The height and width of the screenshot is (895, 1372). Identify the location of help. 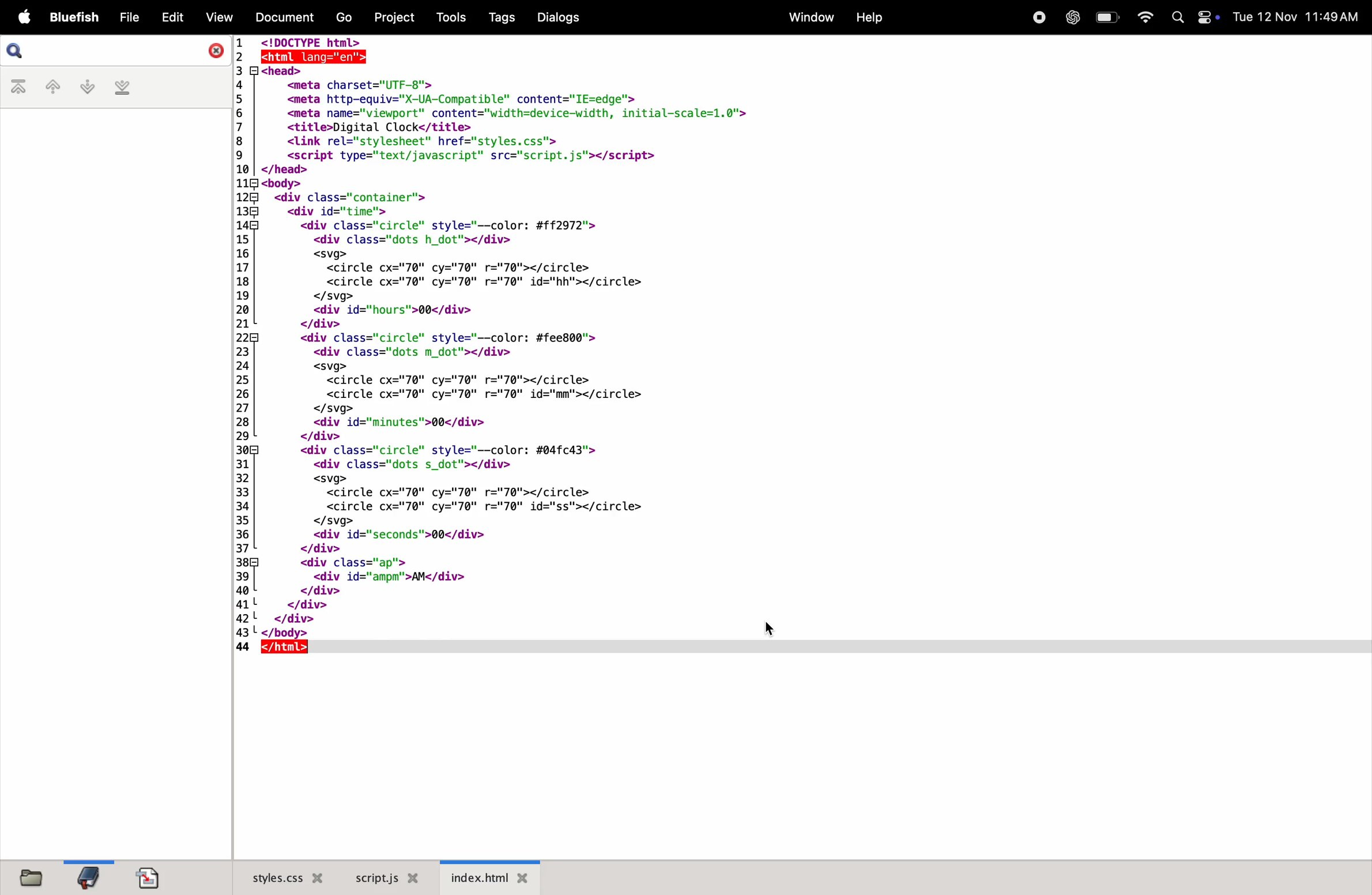
(869, 19).